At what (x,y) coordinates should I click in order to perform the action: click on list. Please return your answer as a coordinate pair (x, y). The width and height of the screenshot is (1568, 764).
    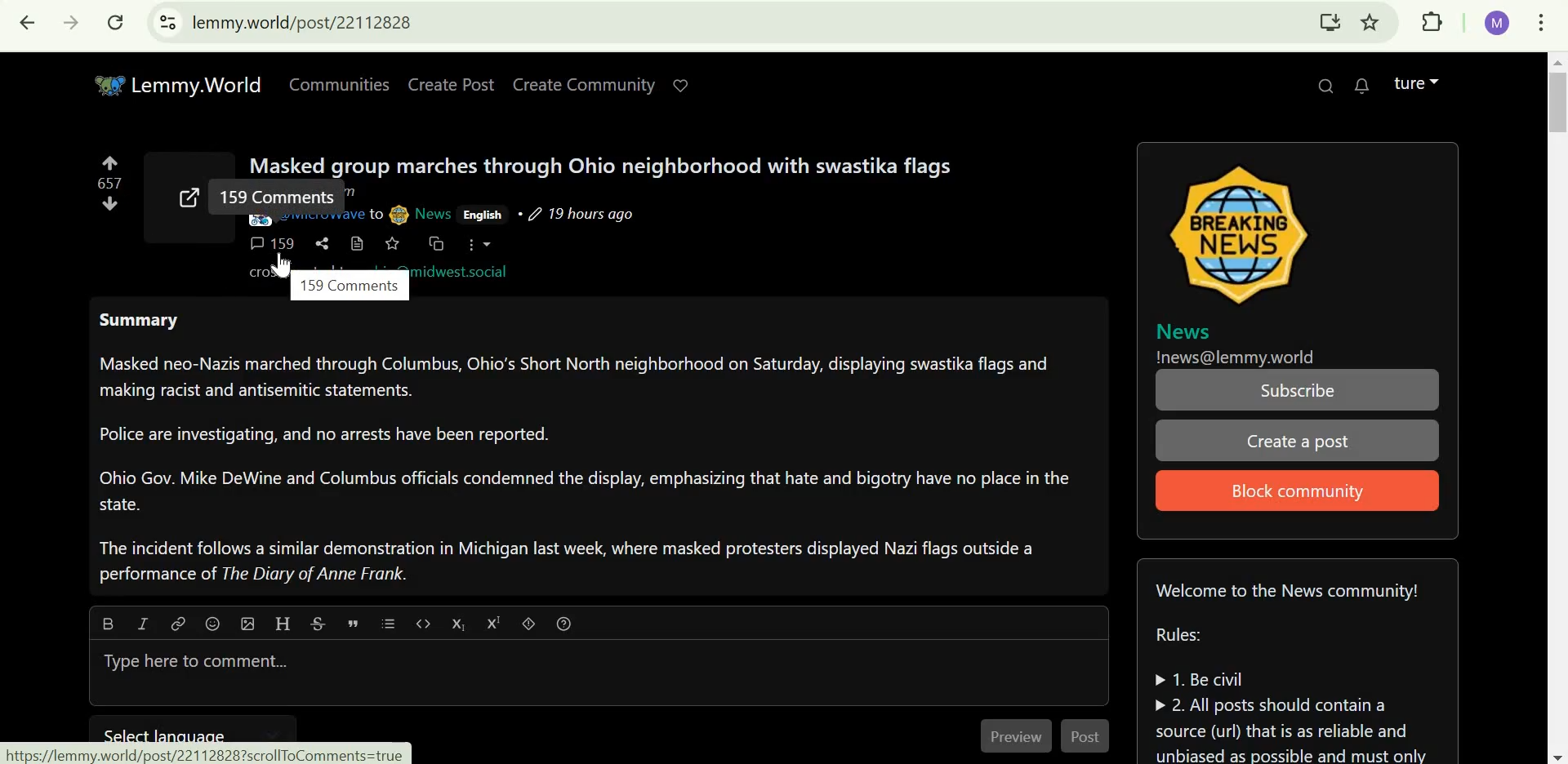
    Looking at the image, I should click on (390, 624).